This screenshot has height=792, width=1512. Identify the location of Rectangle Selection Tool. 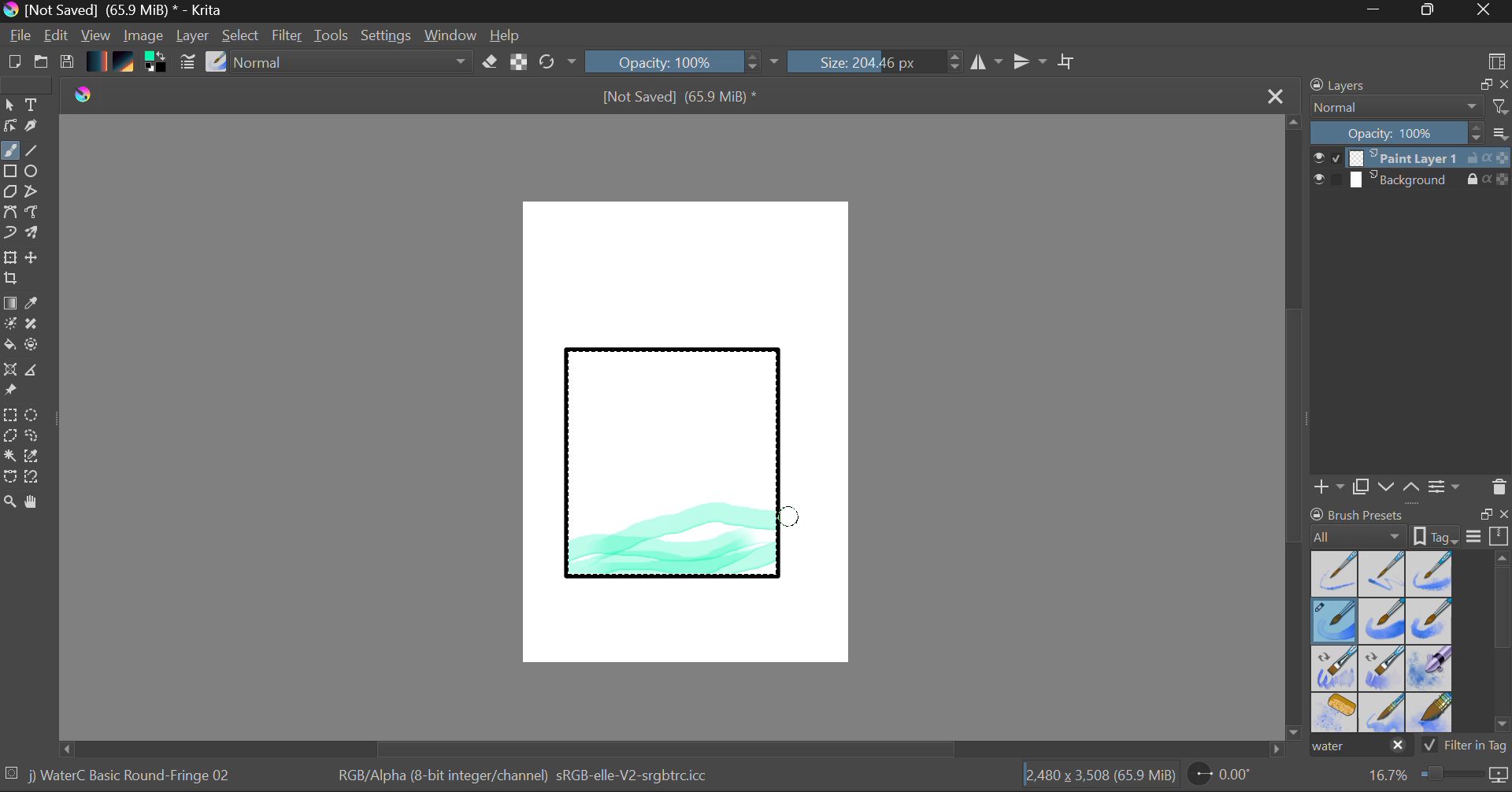
(9, 417).